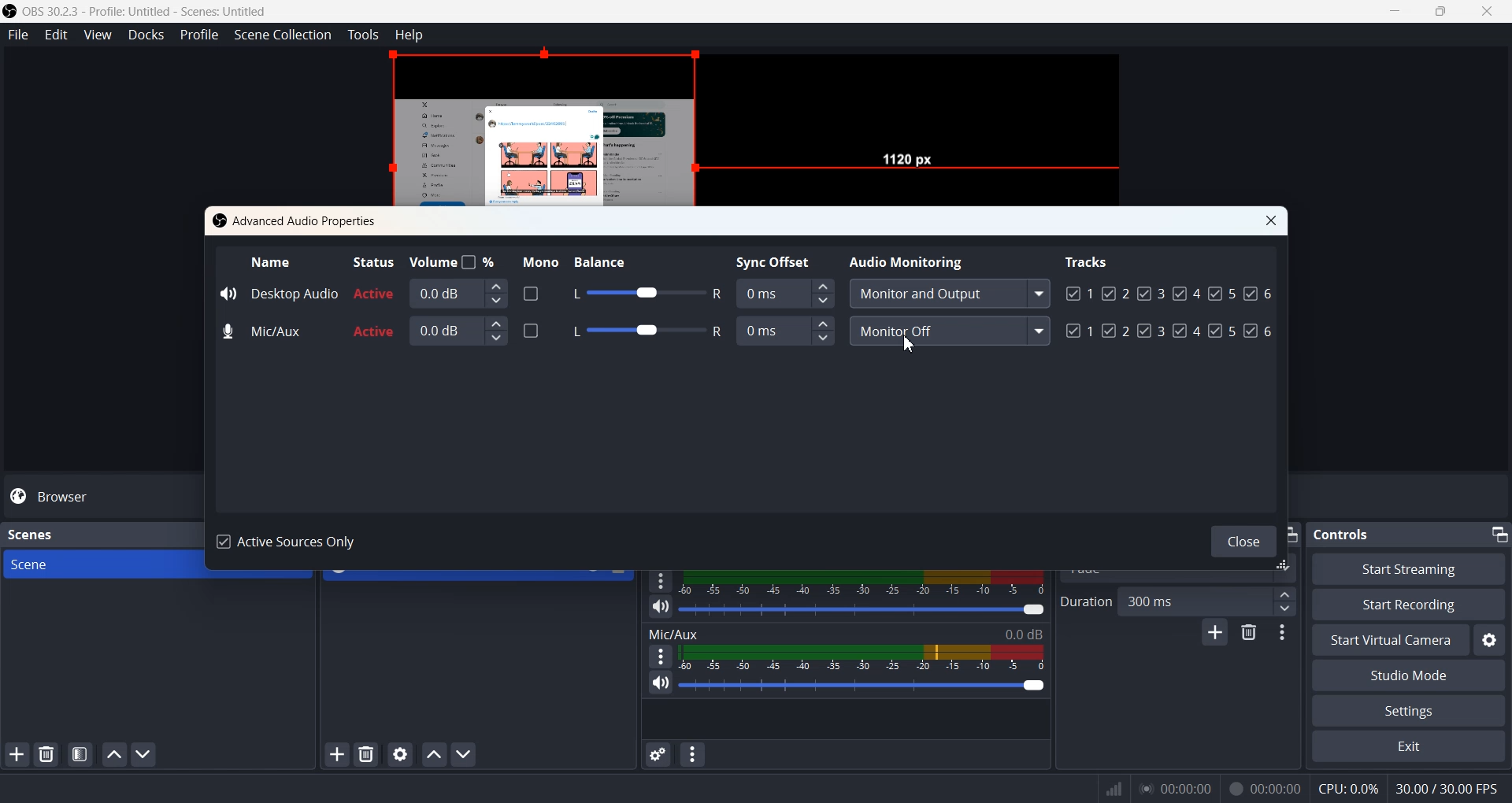 This screenshot has width=1512, height=803. What do you see at coordinates (113, 754) in the screenshot?
I see `Move scene up` at bounding box center [113, 754].